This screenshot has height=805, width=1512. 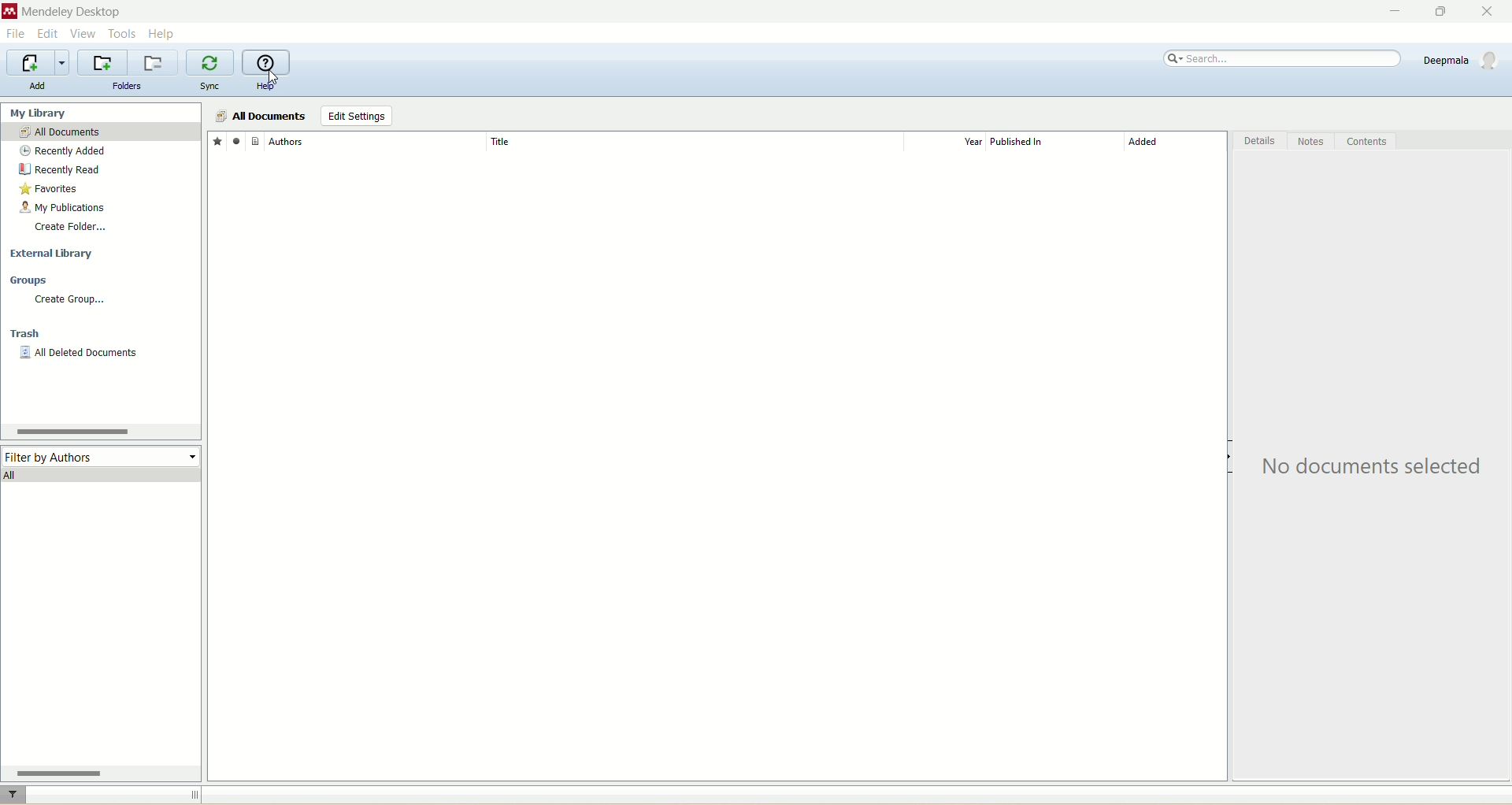 I want to click on help, so click(x=161, y=35).